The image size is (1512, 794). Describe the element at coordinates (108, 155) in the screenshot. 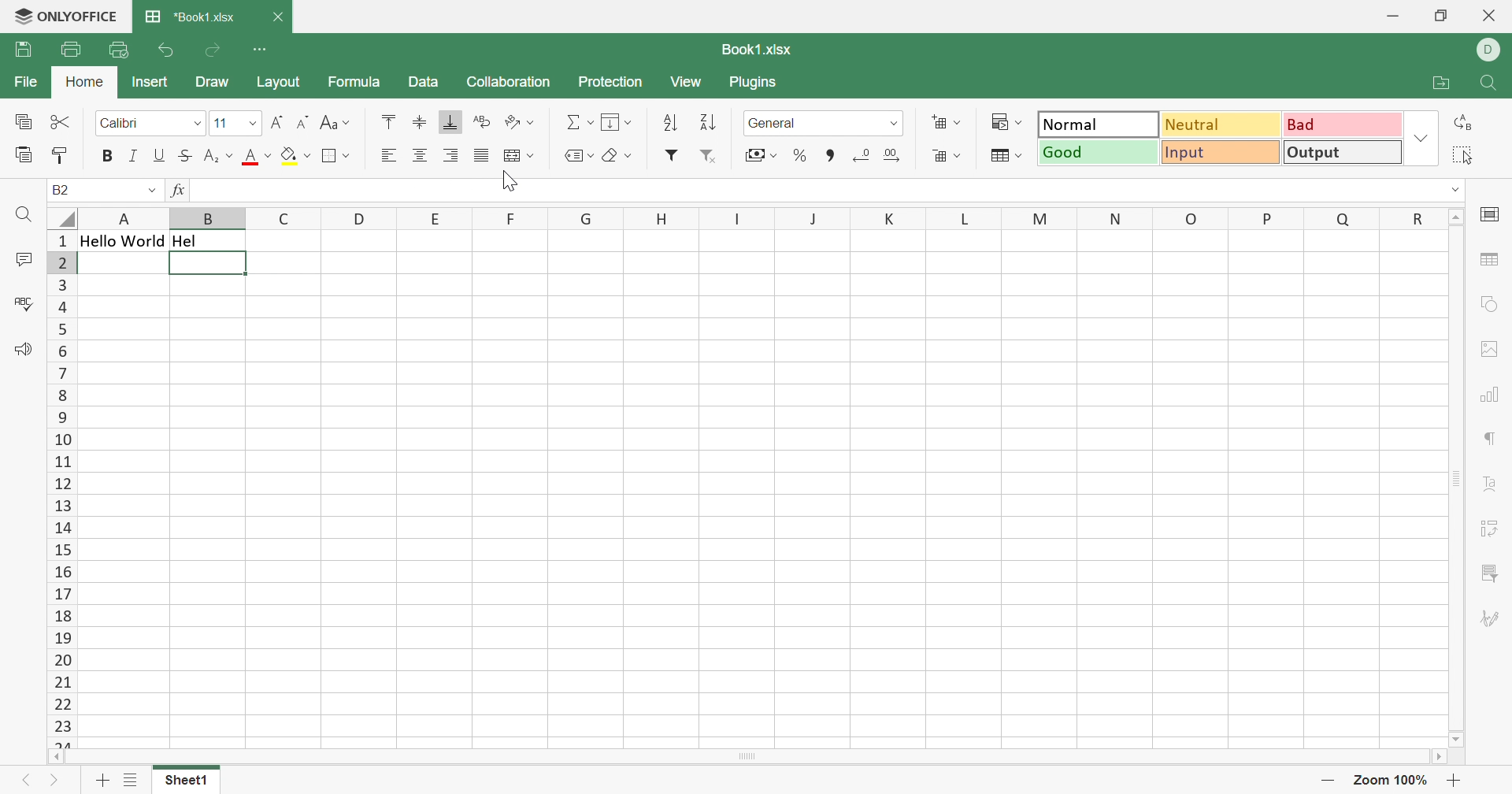

I see `Bold` at that location.